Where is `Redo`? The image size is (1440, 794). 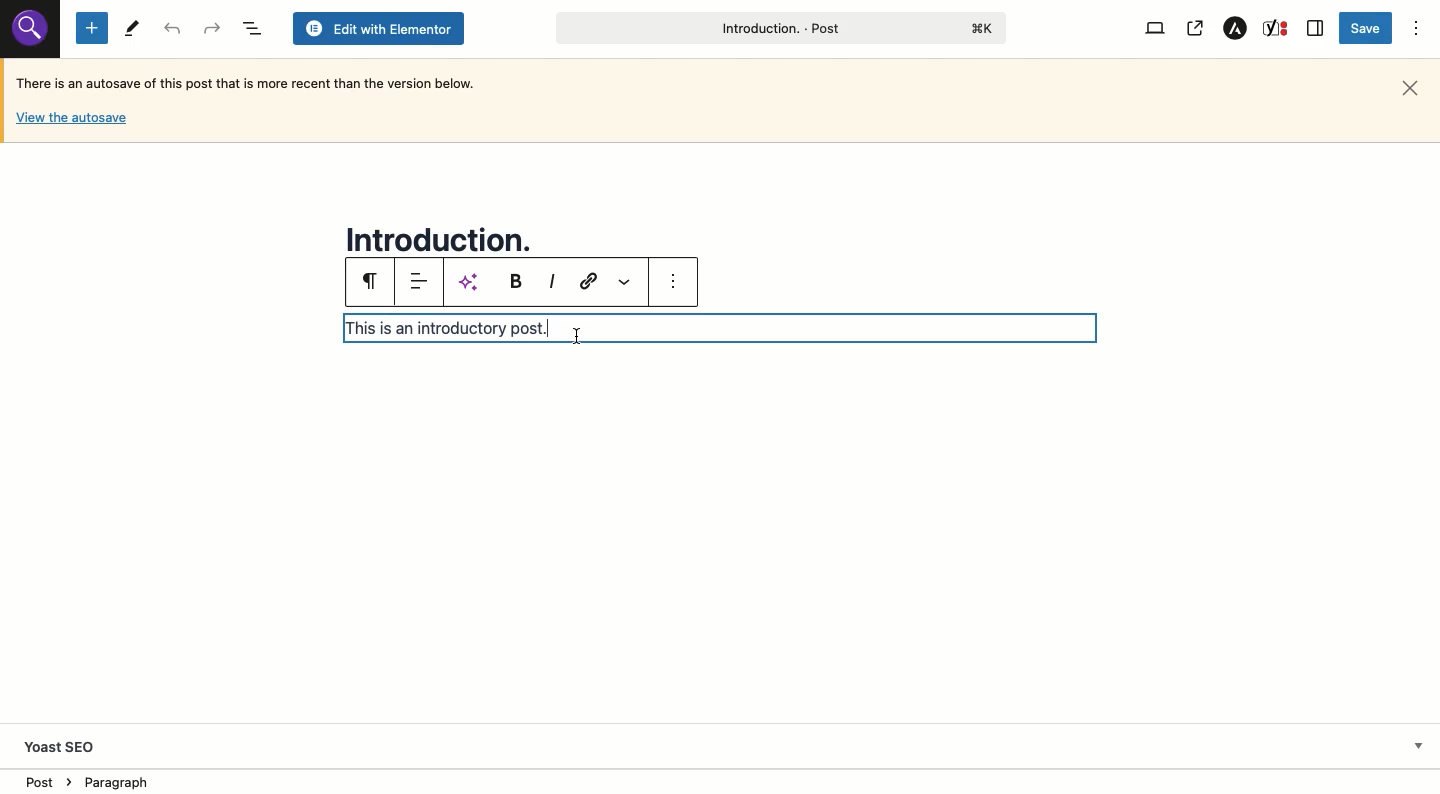
Redo is located at coordinates (174, 29).